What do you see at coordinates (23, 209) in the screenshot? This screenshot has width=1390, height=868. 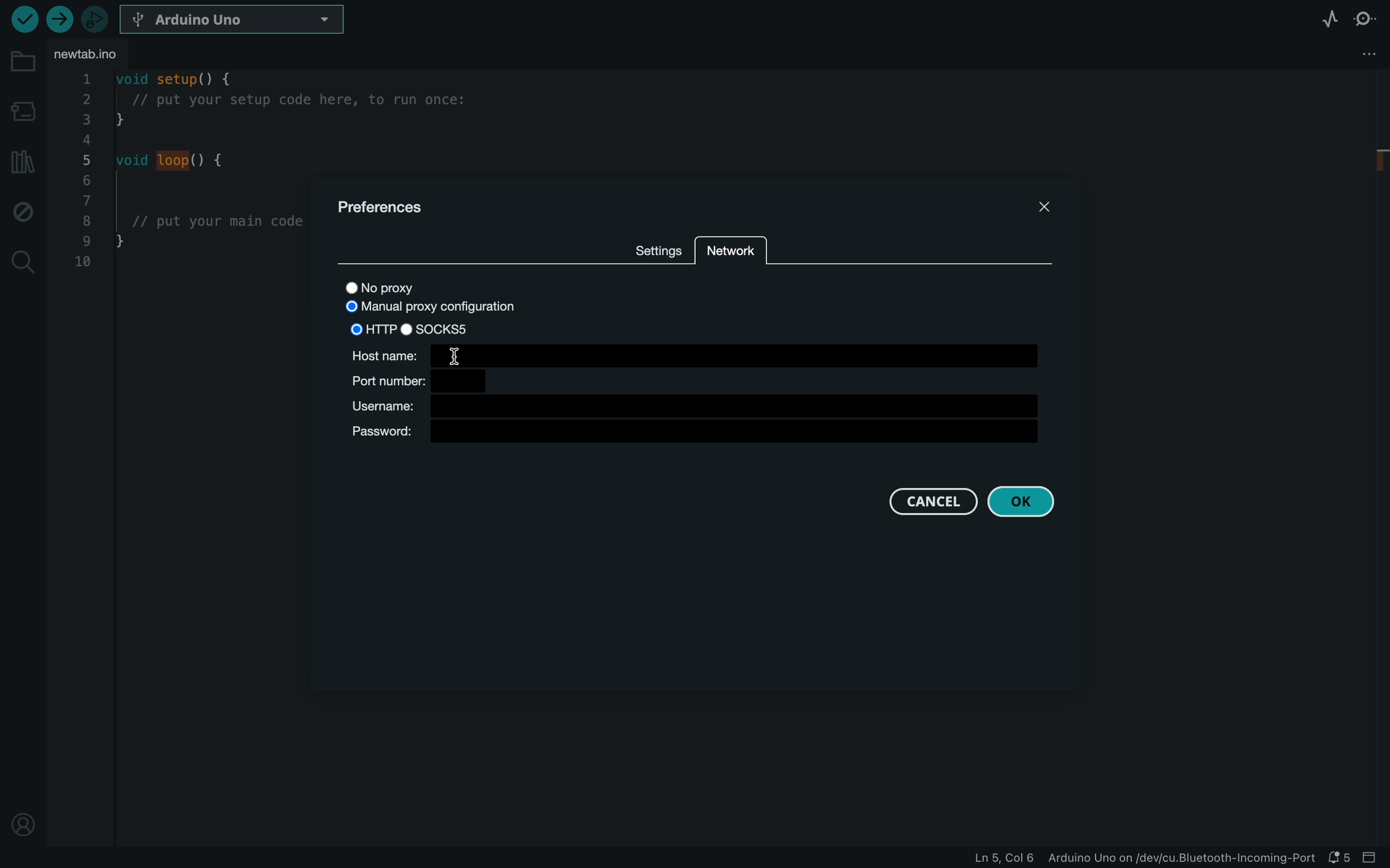 I see `debug` at bounding box center [23, 209].